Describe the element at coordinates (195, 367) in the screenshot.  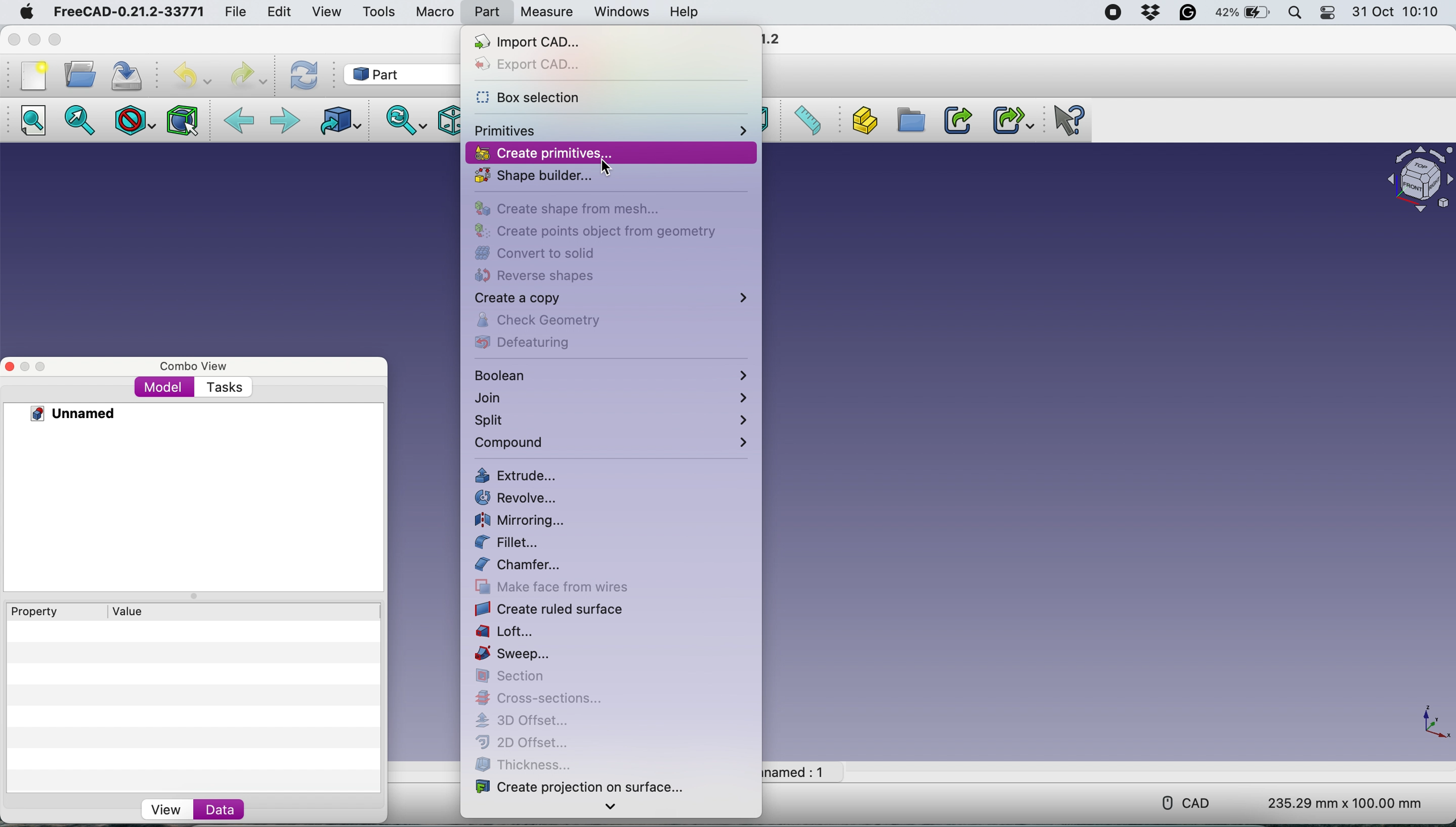
I see `Combo View` at that location.